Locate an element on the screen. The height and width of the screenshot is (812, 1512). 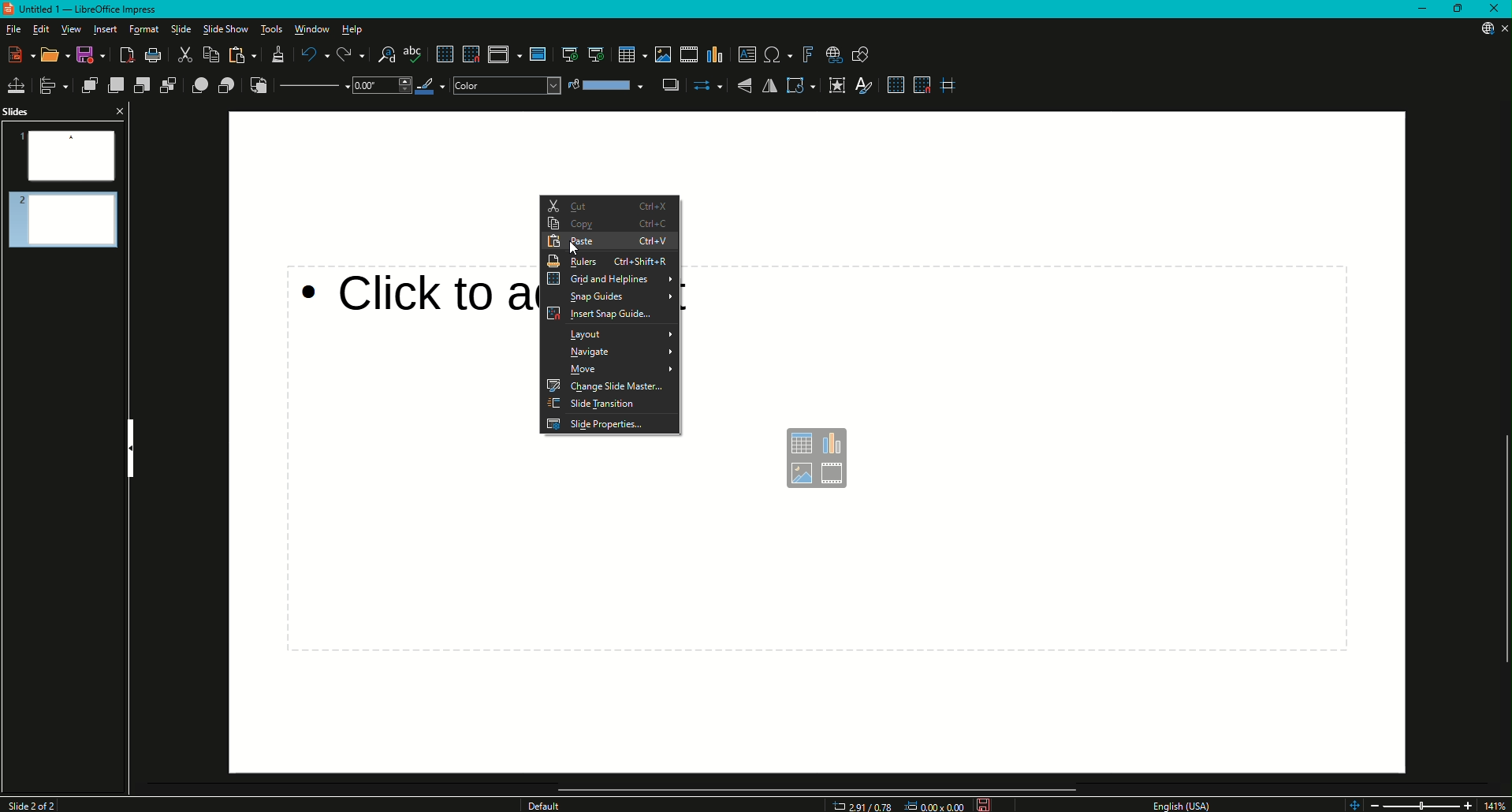
Cursor is located at coordinates (575, 249).